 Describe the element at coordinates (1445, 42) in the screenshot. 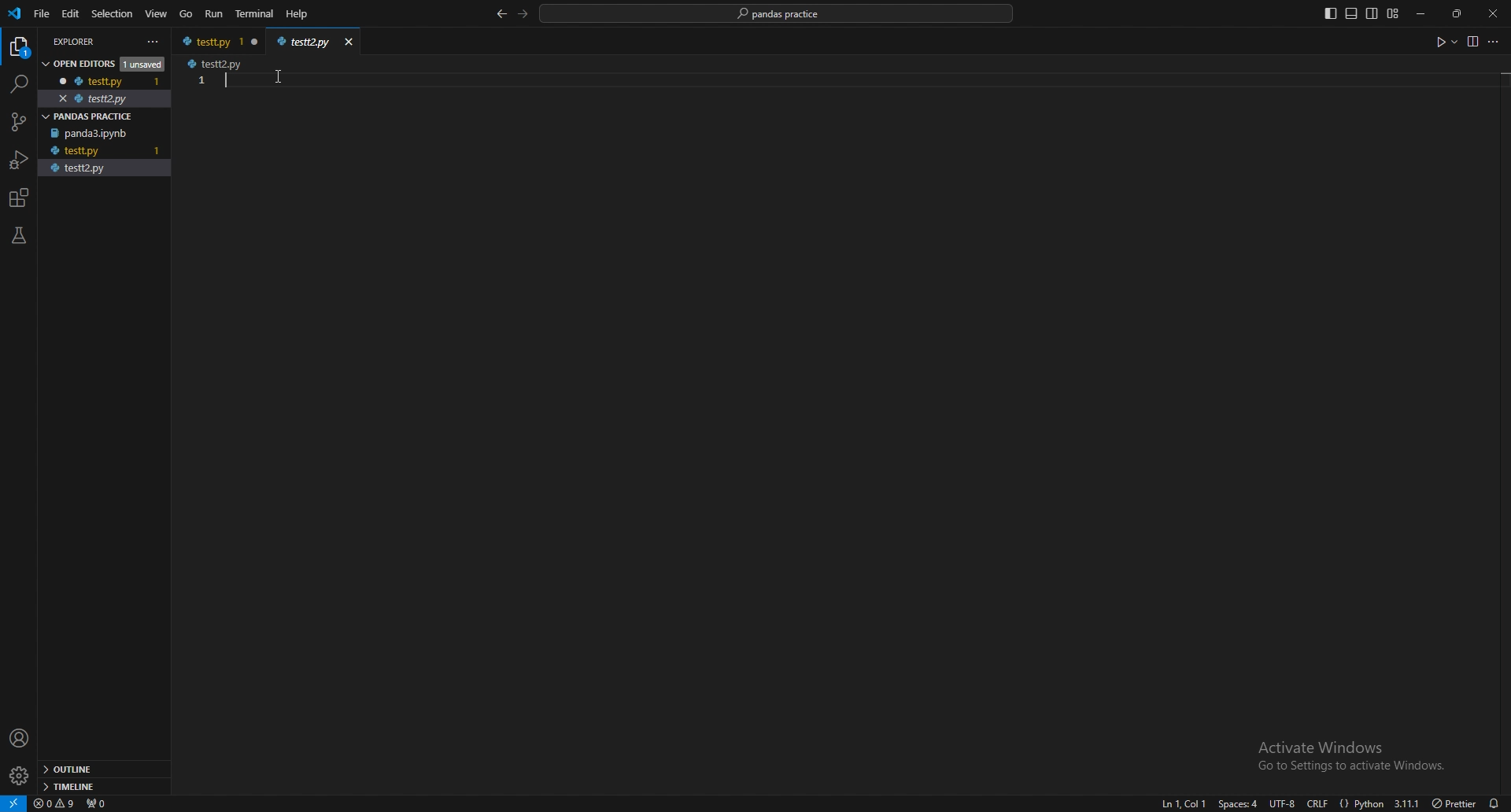

I see `run code ` at that location.